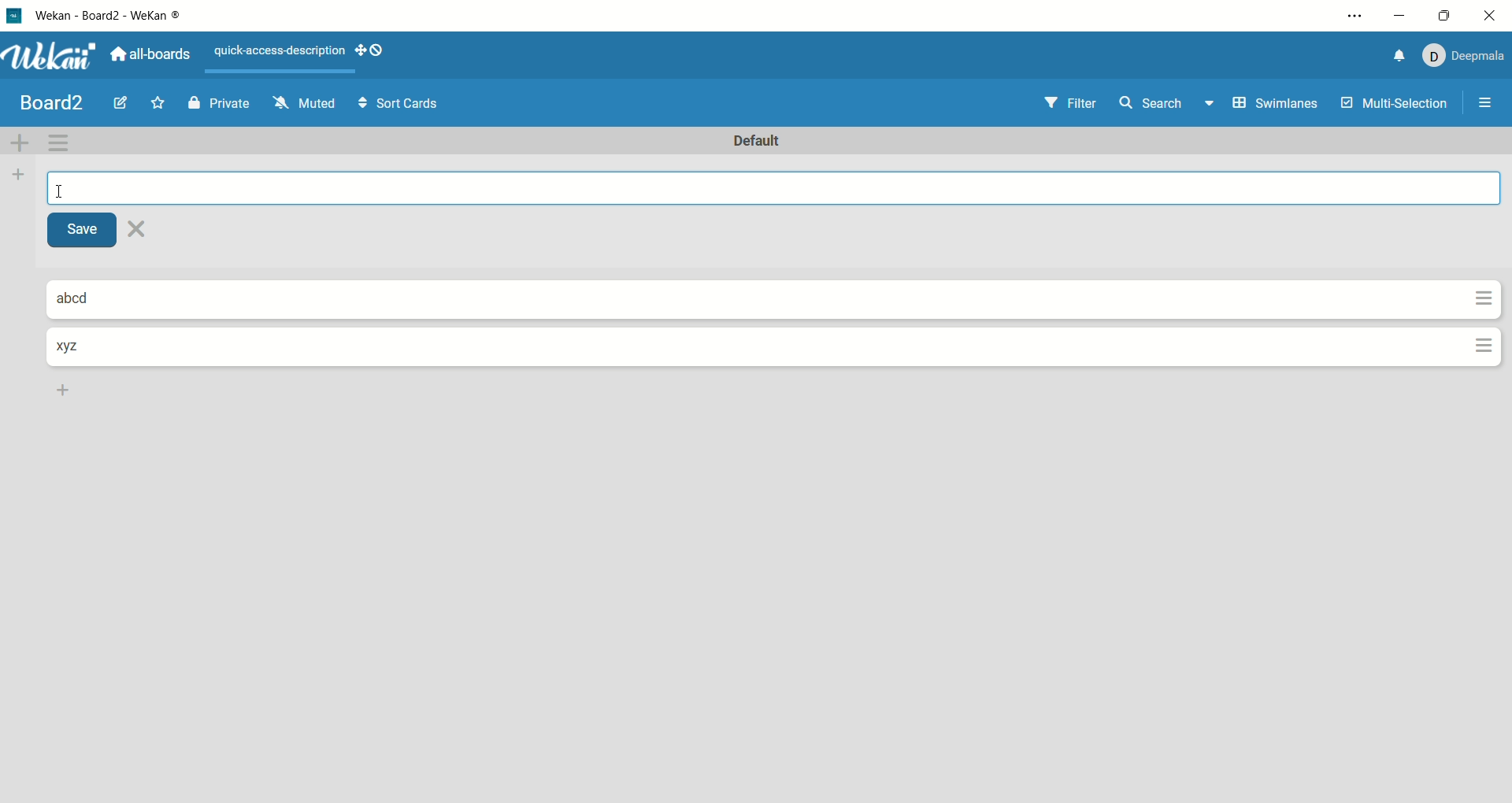  Describe the element at coordinates (152, 52) in the screenshot. I see `all boards` at that location.